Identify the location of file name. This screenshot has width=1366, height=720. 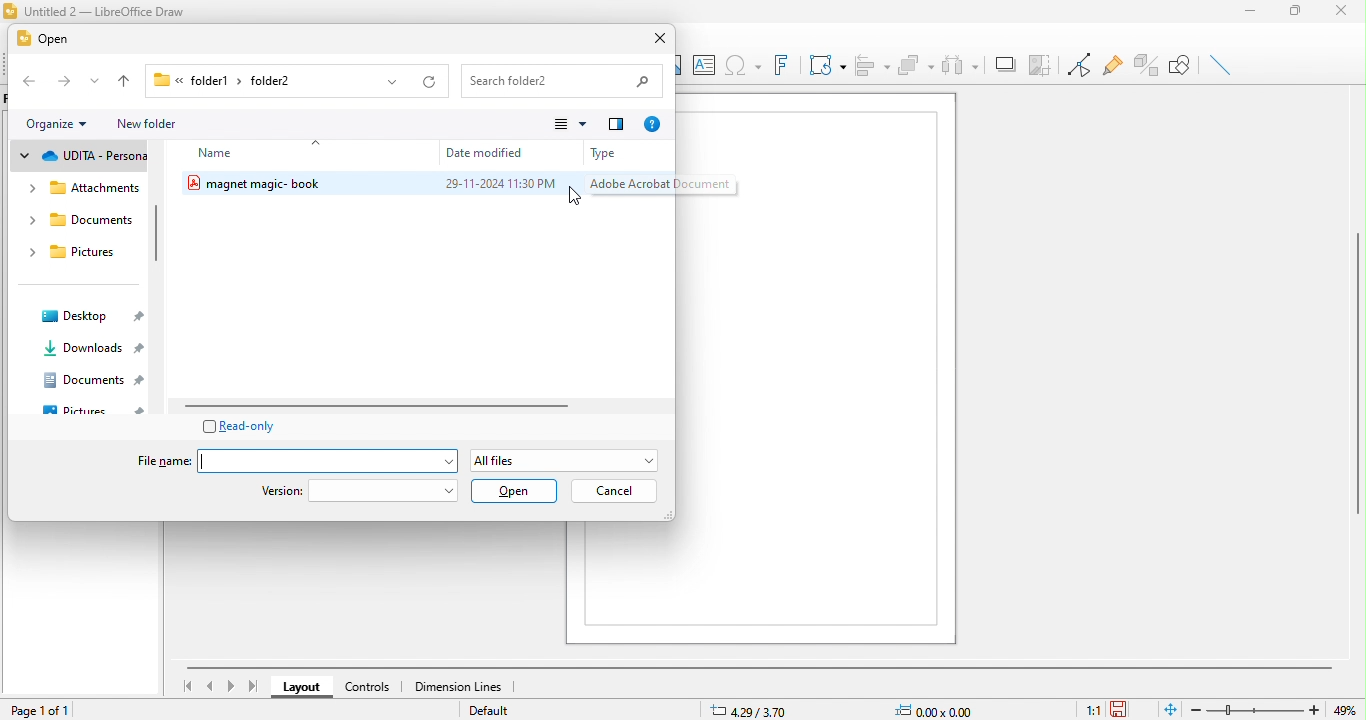
(289, 460).